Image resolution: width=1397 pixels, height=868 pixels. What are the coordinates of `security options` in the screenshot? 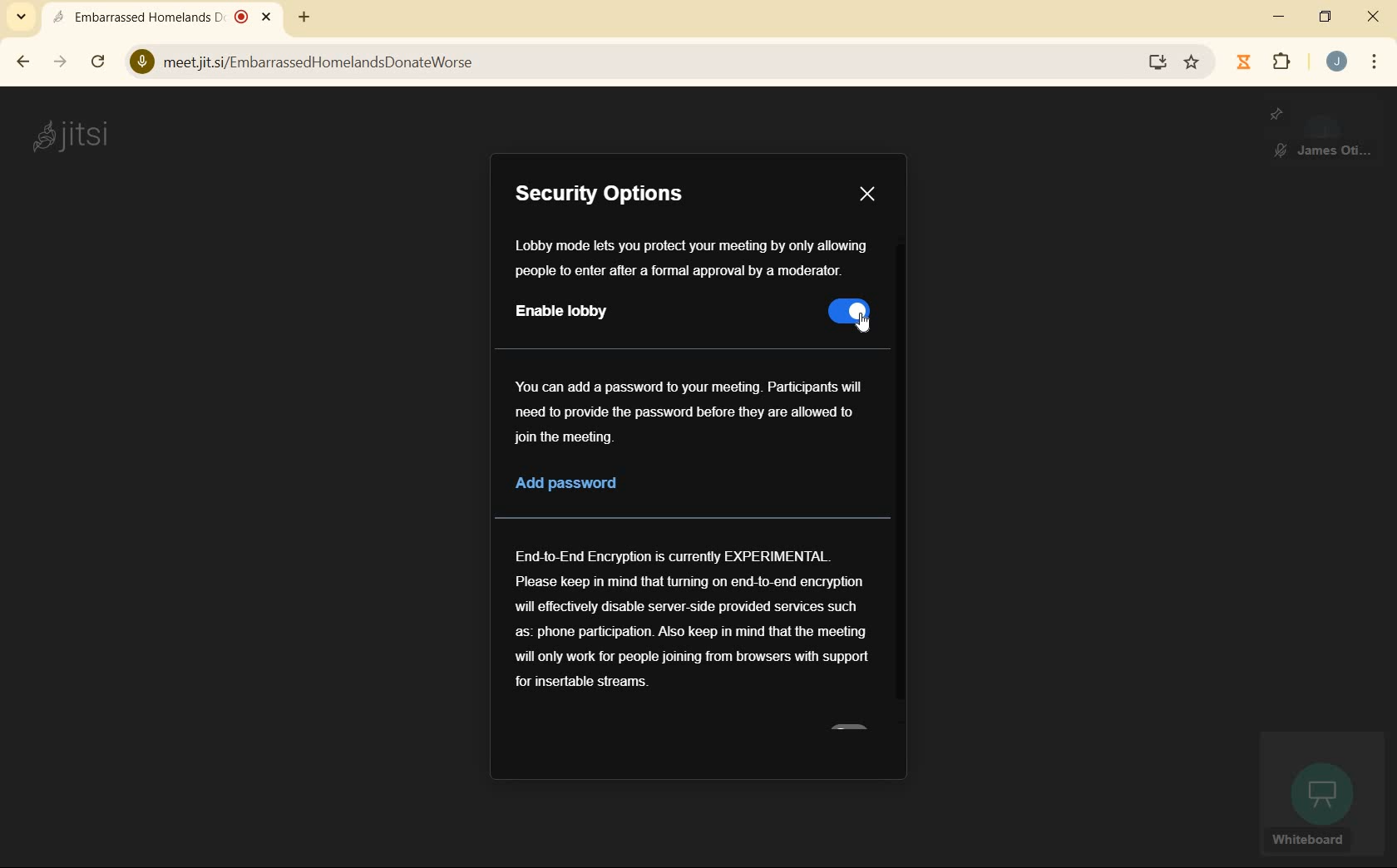 It's located at (620, 195).